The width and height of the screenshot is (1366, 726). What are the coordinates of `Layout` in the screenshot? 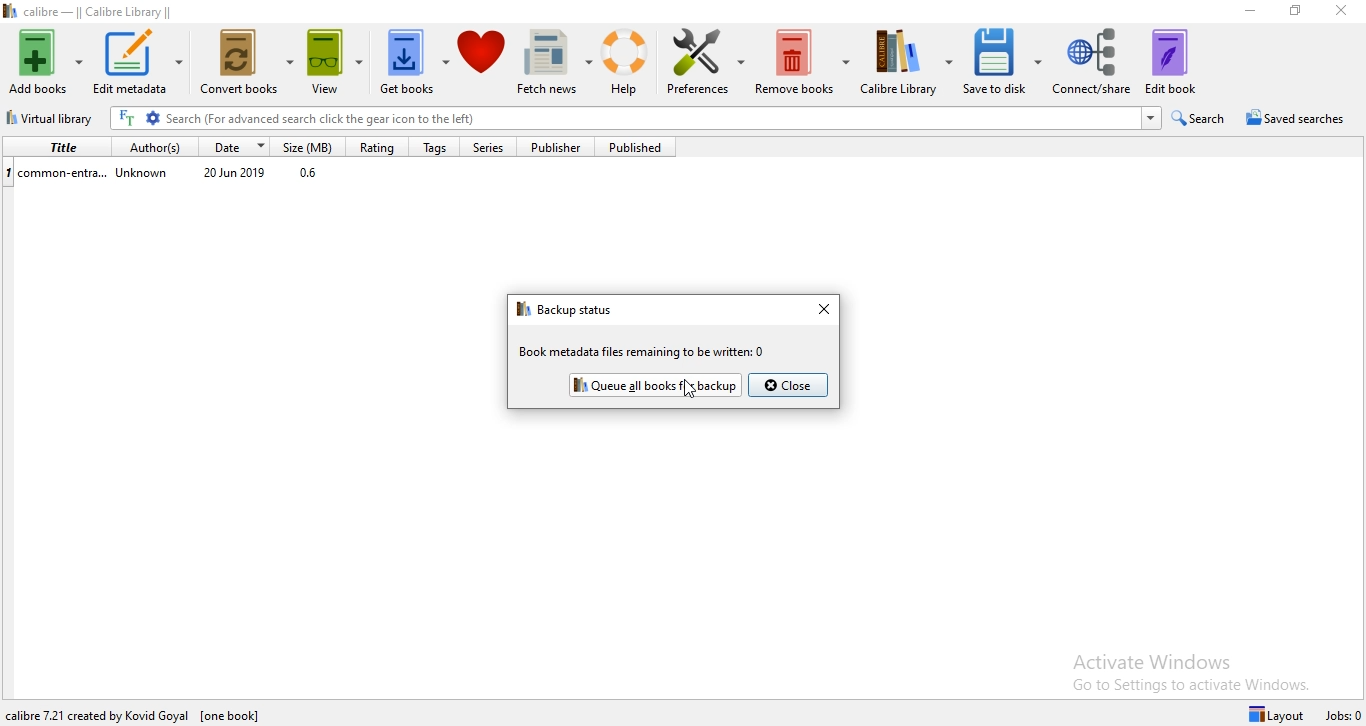 It's located at (1280, 713).